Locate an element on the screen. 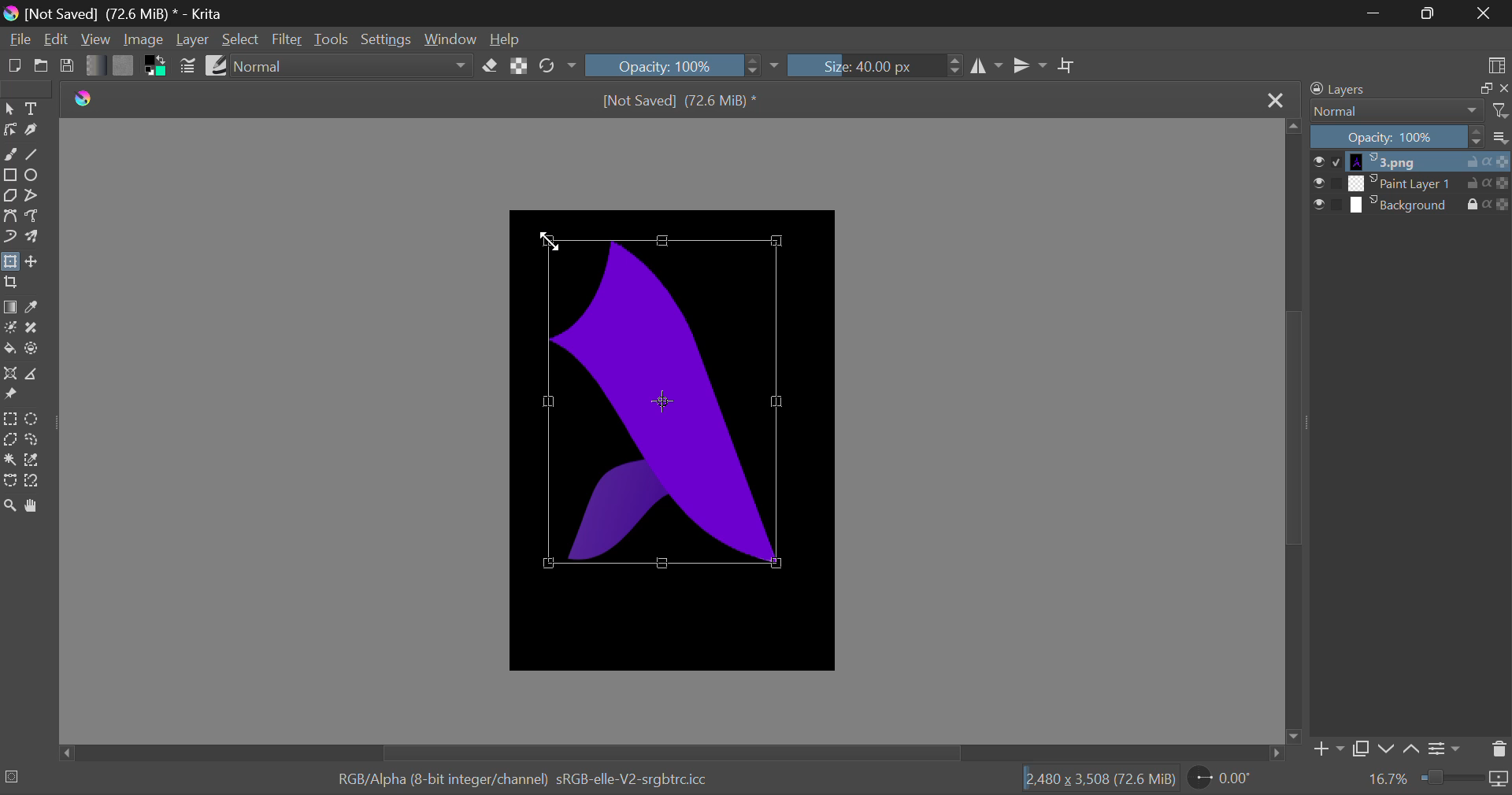  checkbox is located at coordinates (1325, 205).